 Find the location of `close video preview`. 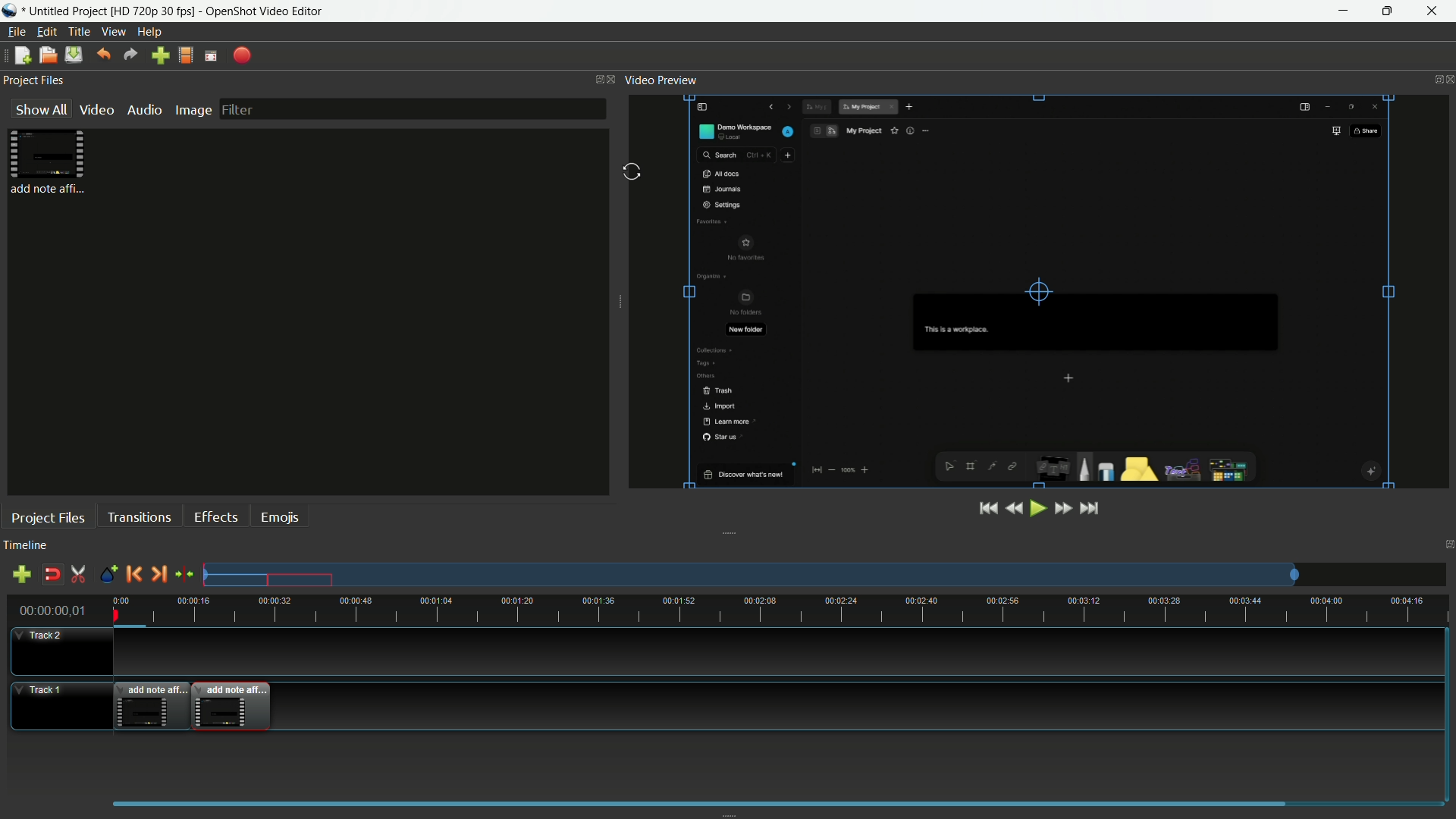

close video preview is located at coordinates (1447, 80).